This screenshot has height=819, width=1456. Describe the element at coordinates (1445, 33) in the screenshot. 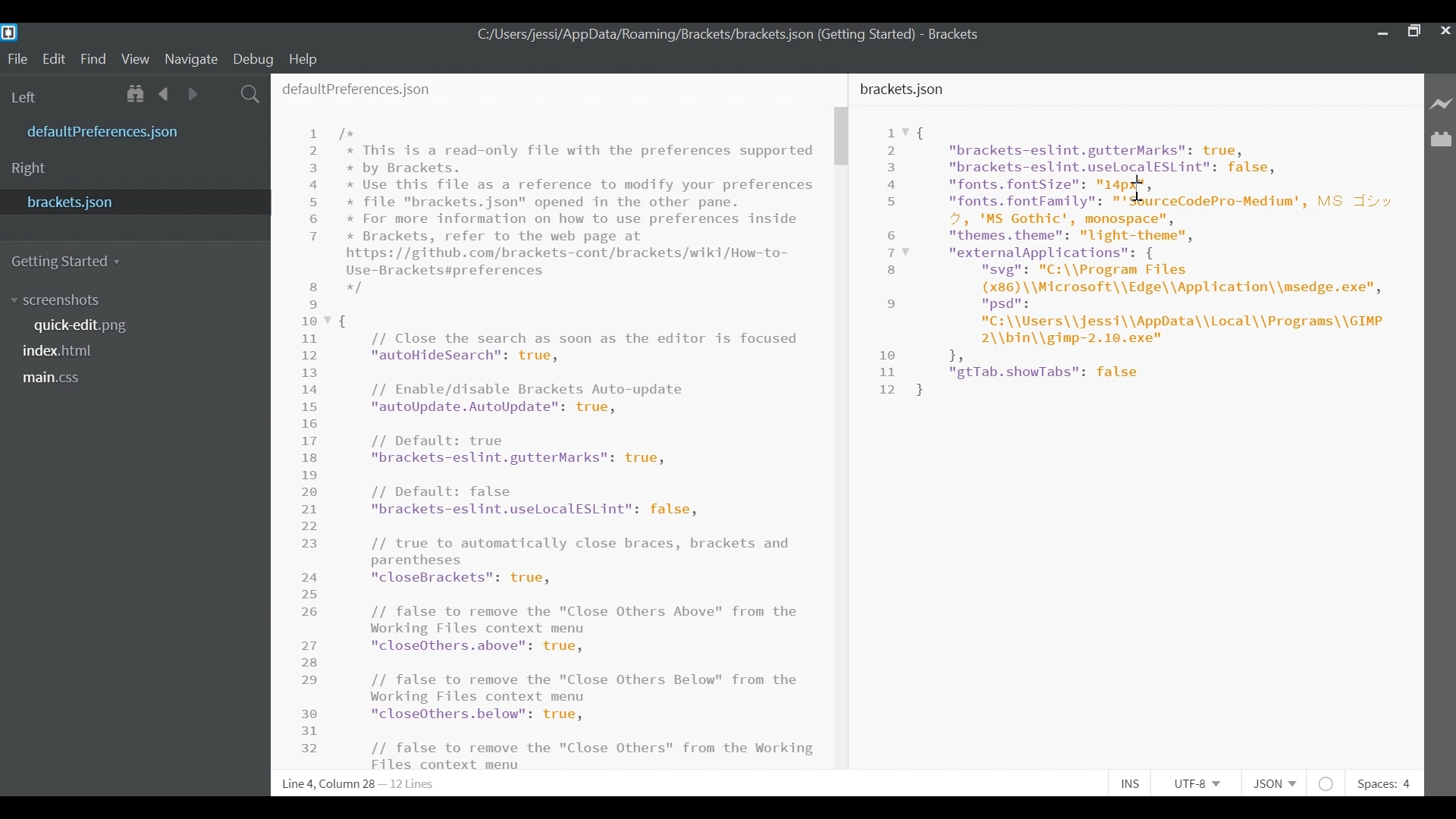

I see `Close` at that location.